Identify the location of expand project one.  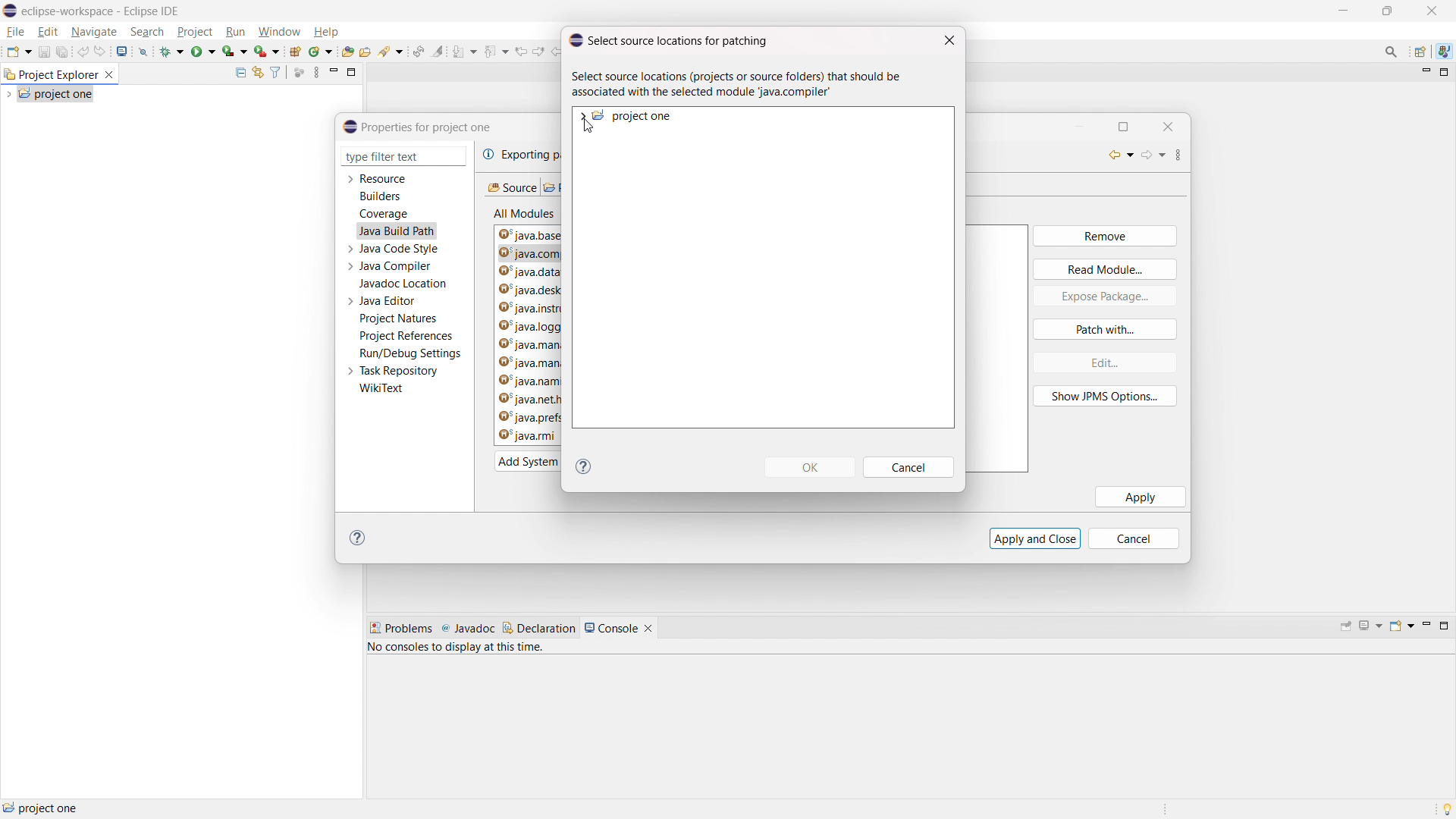
(582, 115).